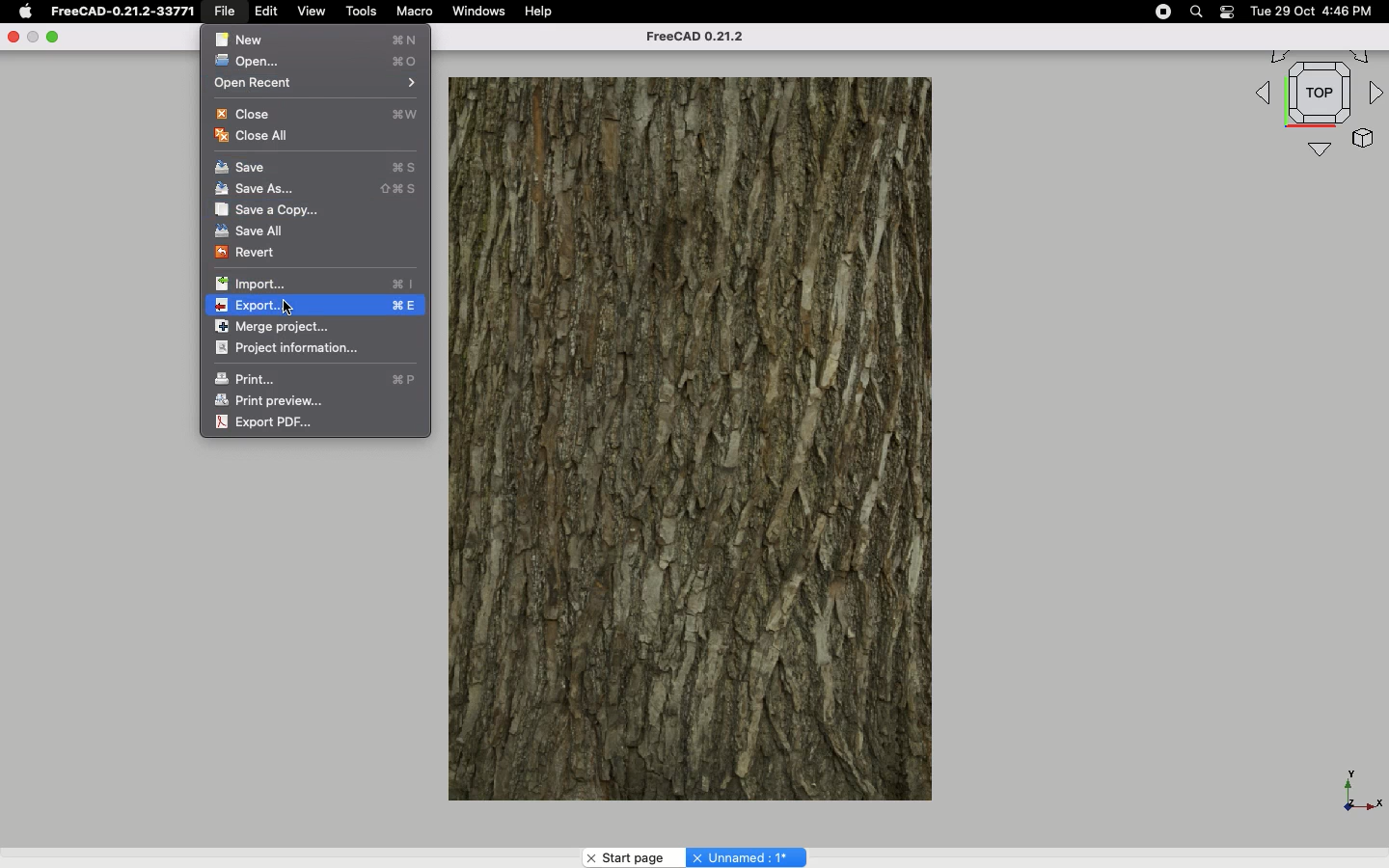  What do you see at coordinates (317, 377) in the screenshot?
I see `Print` at bounding box center [317, 377].